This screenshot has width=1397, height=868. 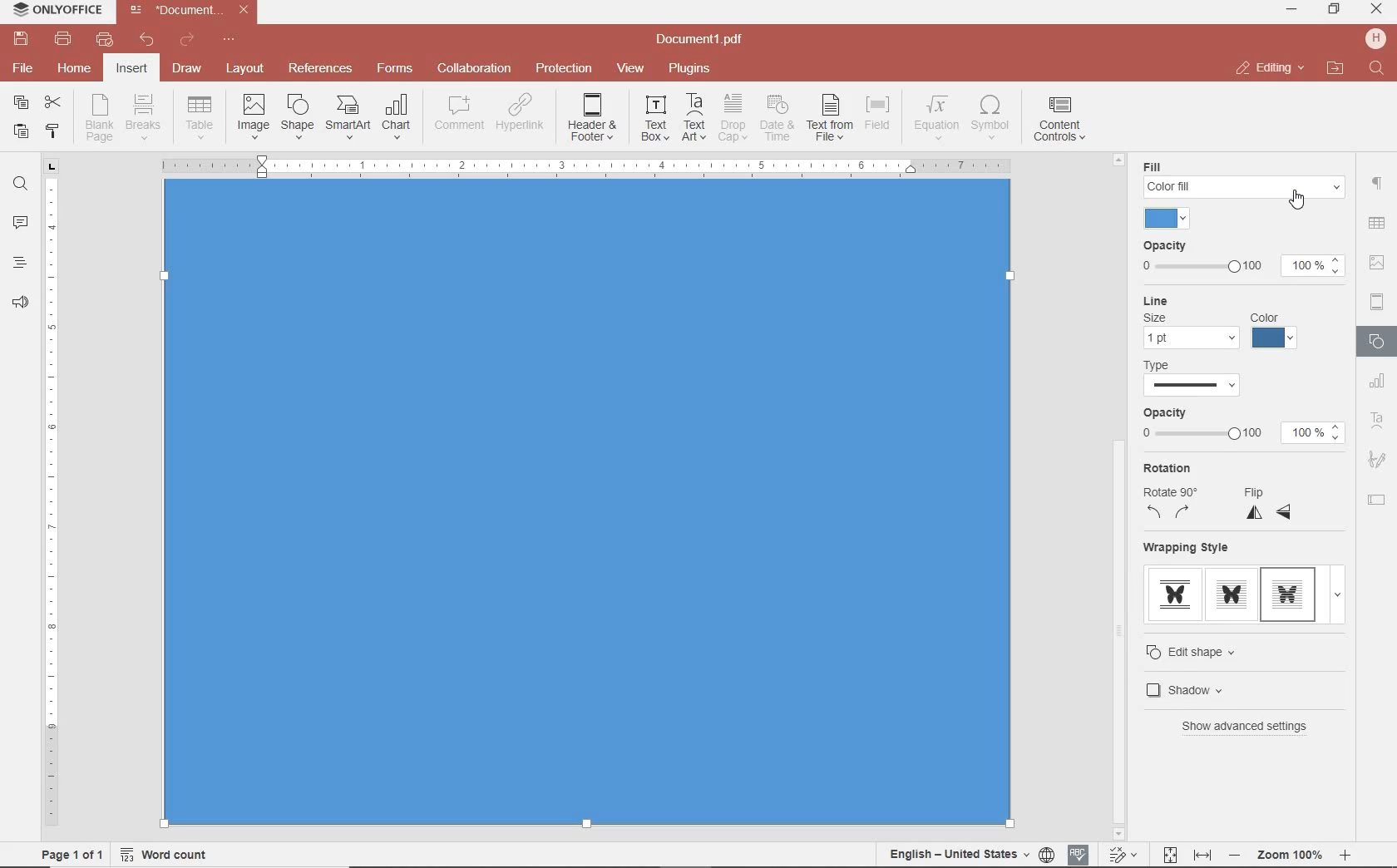 What do you see at coordinates (53, 11) in the screenshot?
I see `system name` at bounding box center [53, 11].